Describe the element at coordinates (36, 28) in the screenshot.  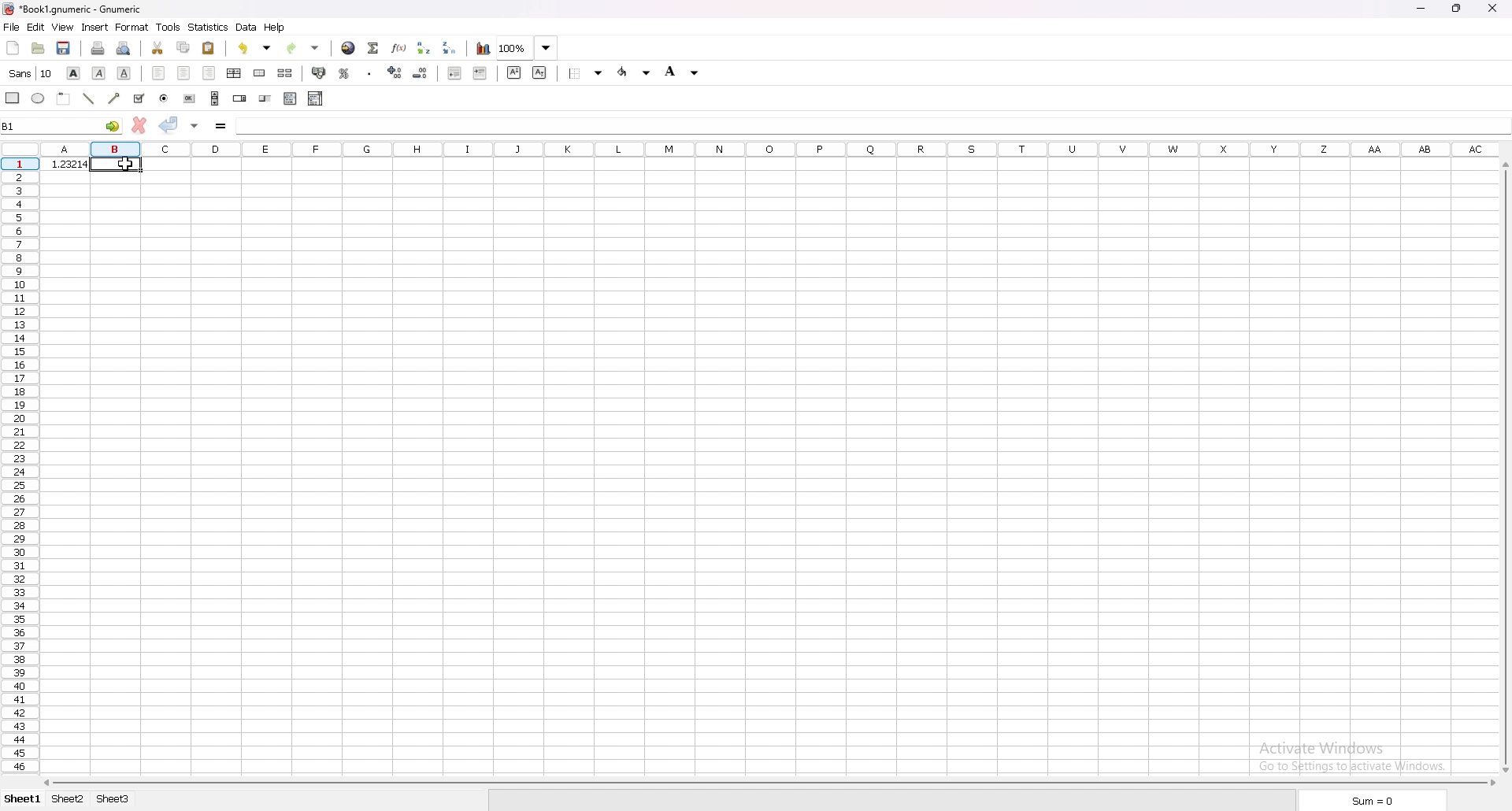
I see `edit` at that location.